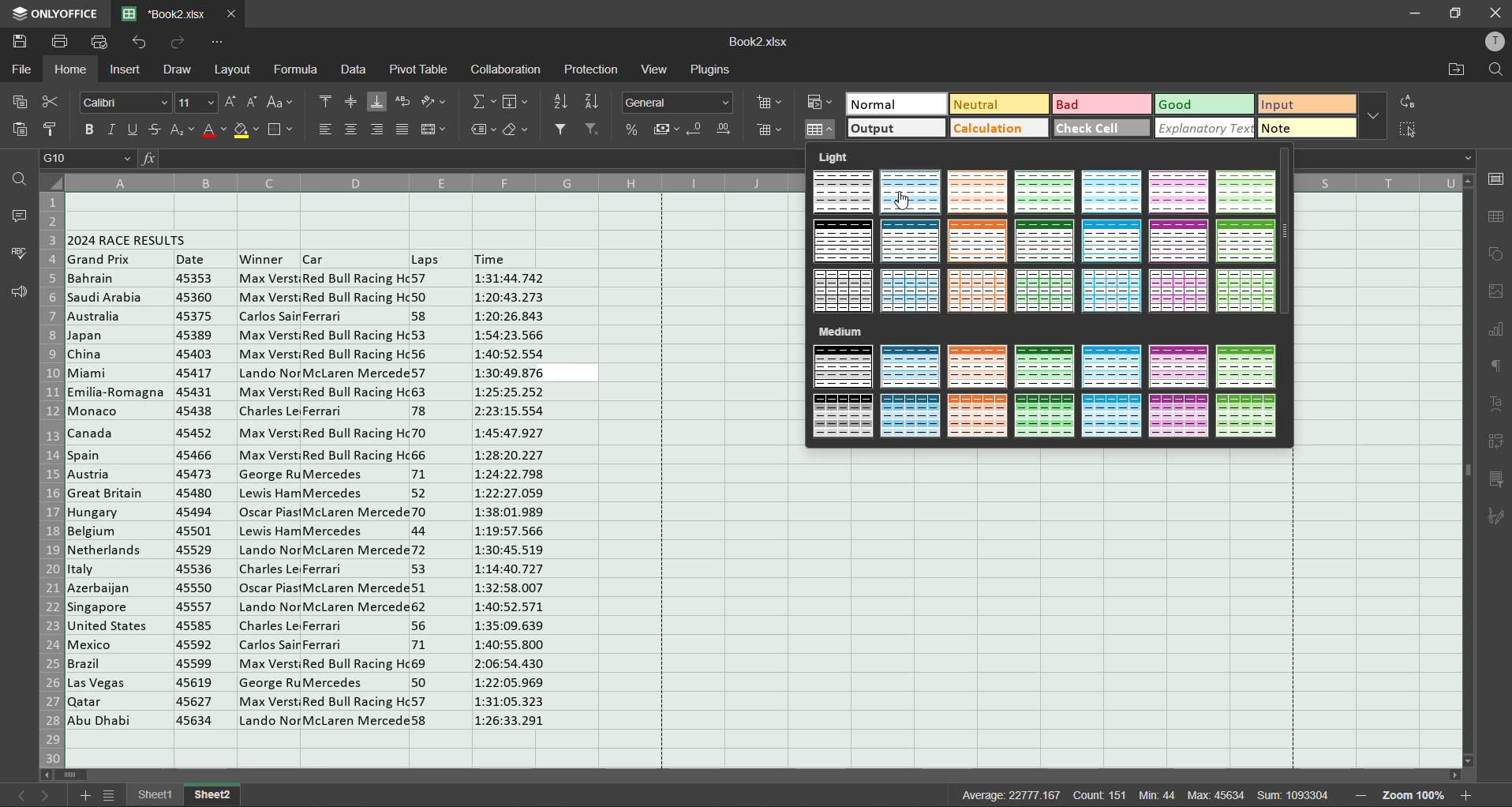 This screenshot has height=807, width=1512. What do you see at coordinates (14, 253) in the screenshot?
I see `spellcheck` at bounding box center [14, 253].